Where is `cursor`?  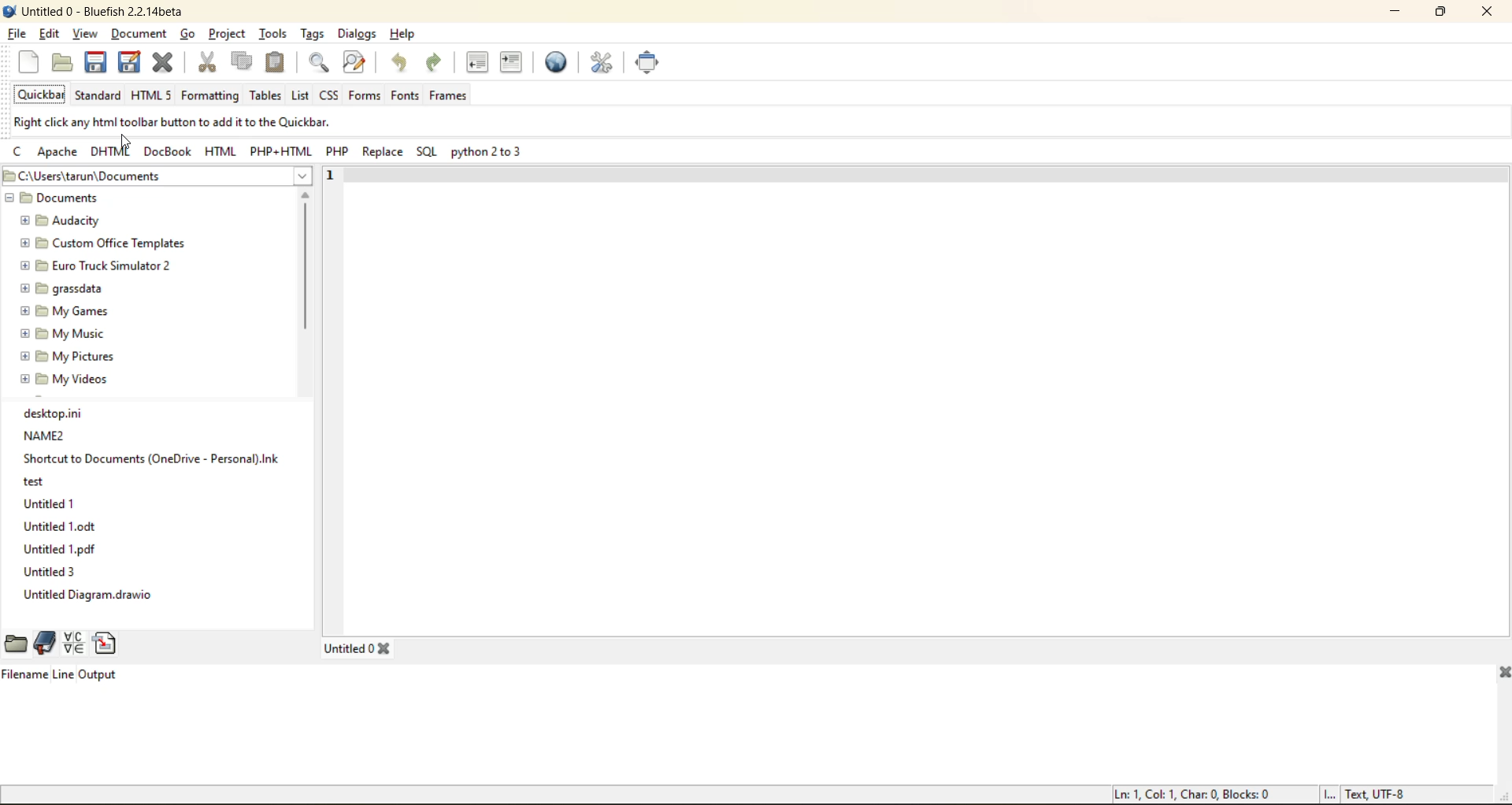 cursor is located at coordinates (126, 142).